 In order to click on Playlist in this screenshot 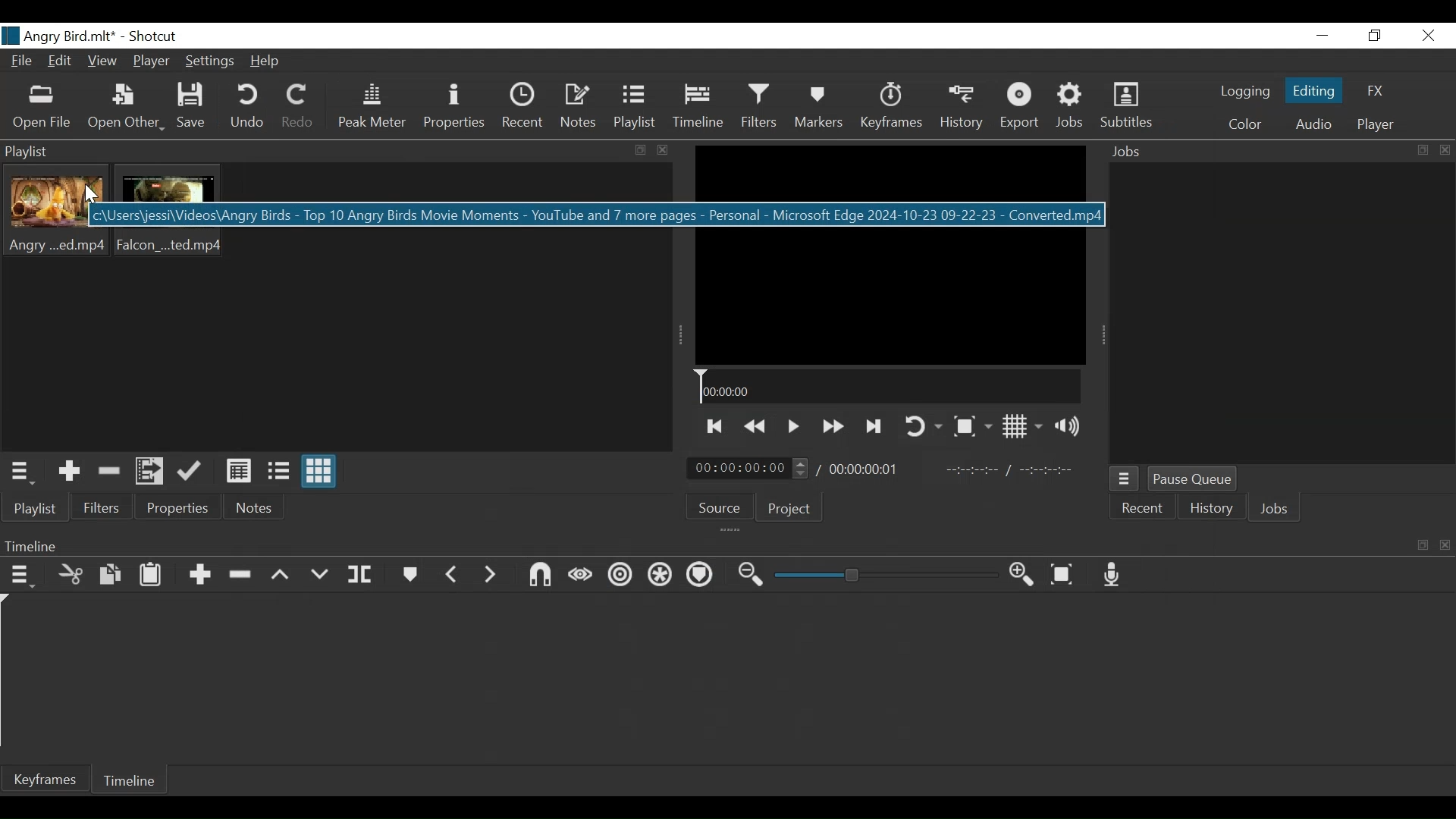, I will do `click(638, 108)`.